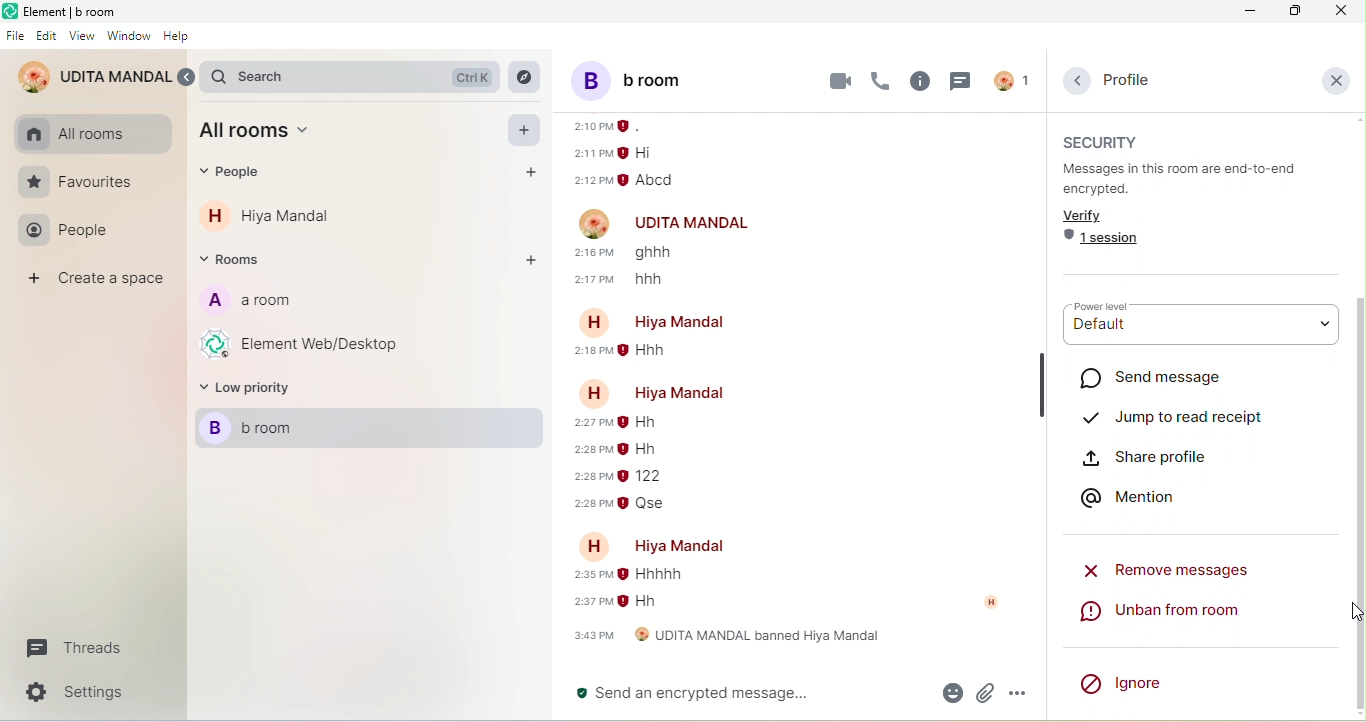 This screenshot has width=1366, height=722. I want to click on people, so click(239, 174).